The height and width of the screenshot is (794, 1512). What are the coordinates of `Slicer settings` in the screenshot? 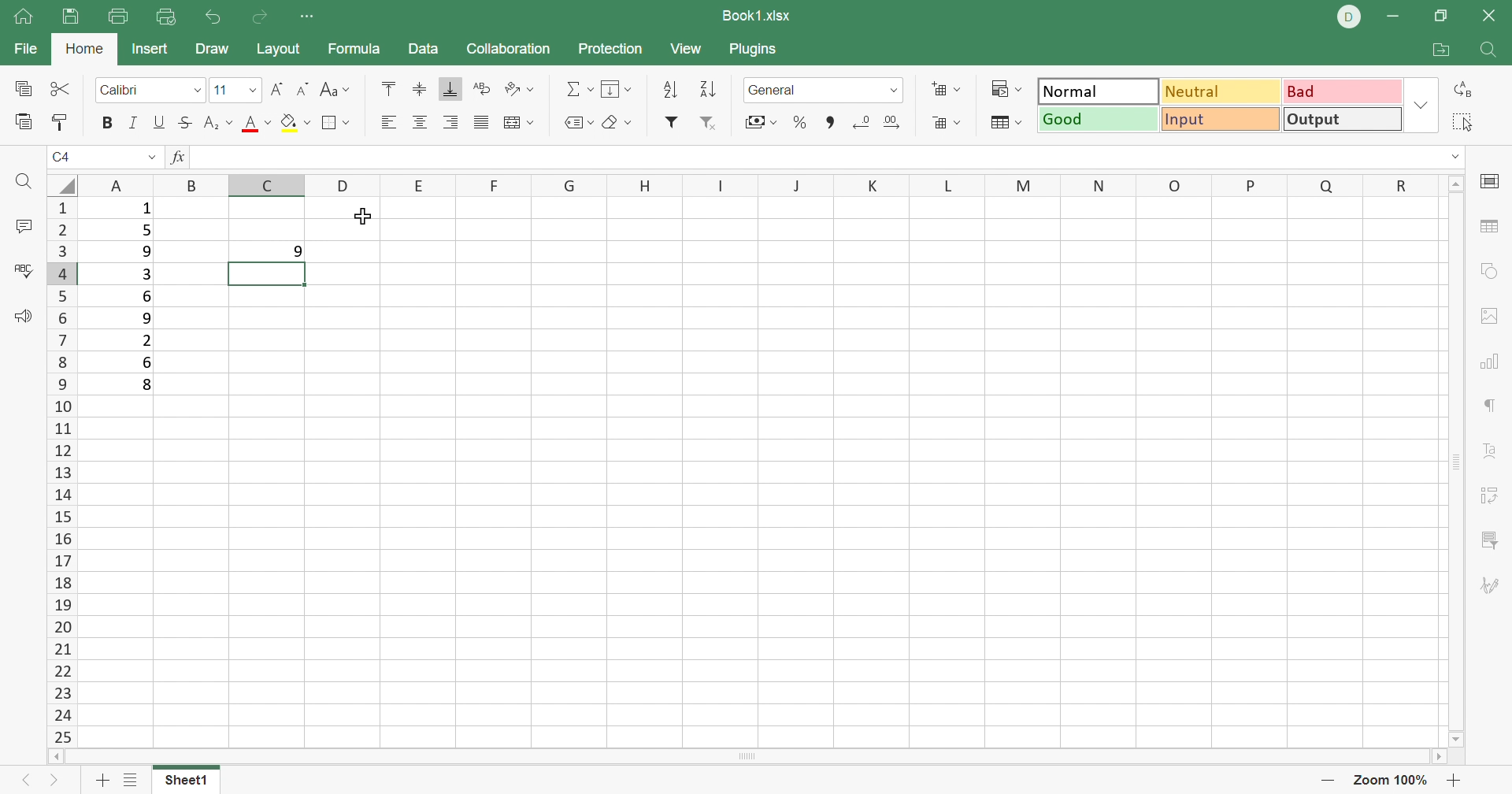 It's located at (1489, 538).